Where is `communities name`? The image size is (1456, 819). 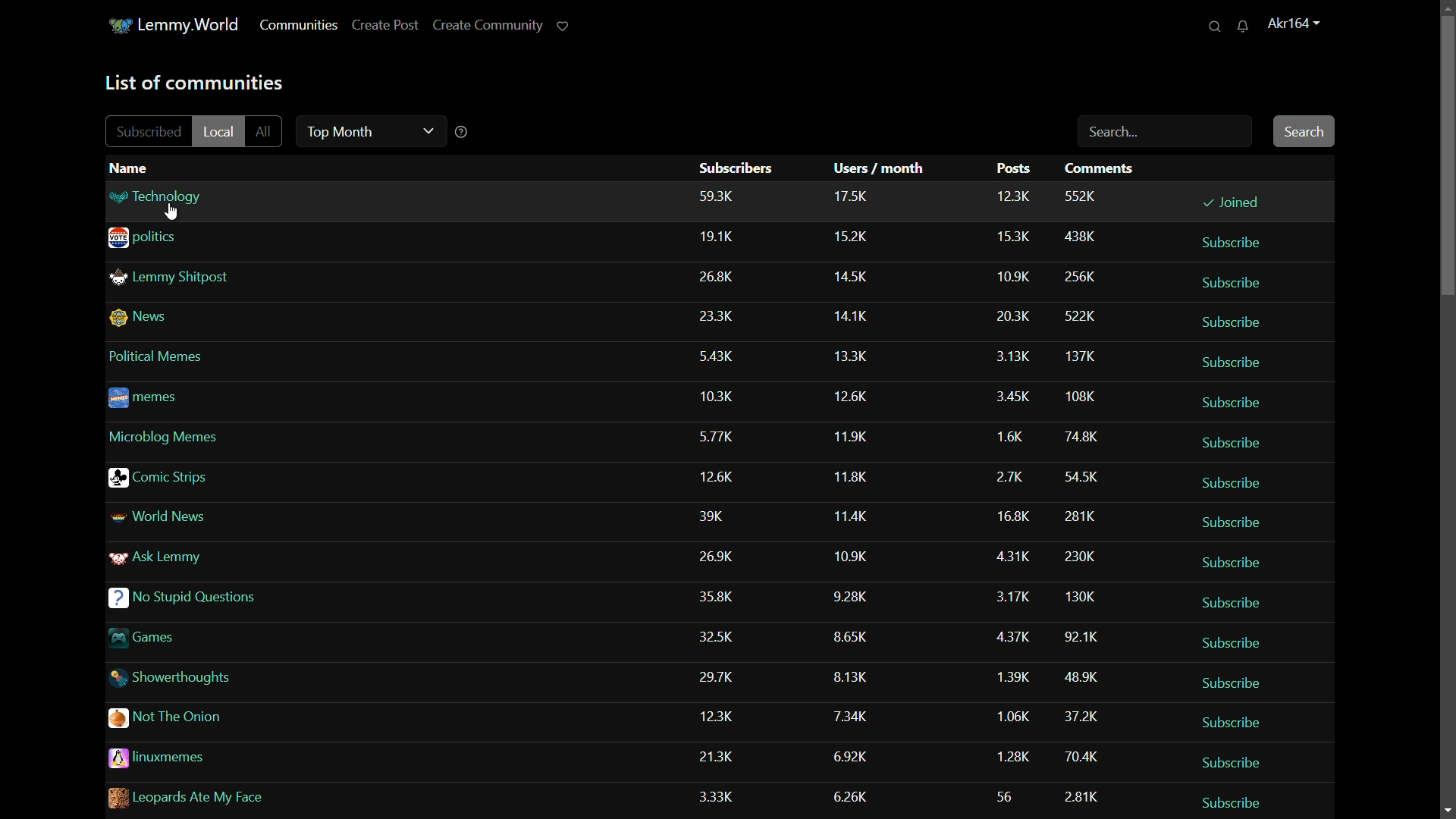 communities name is located at coordinates (161, 318).